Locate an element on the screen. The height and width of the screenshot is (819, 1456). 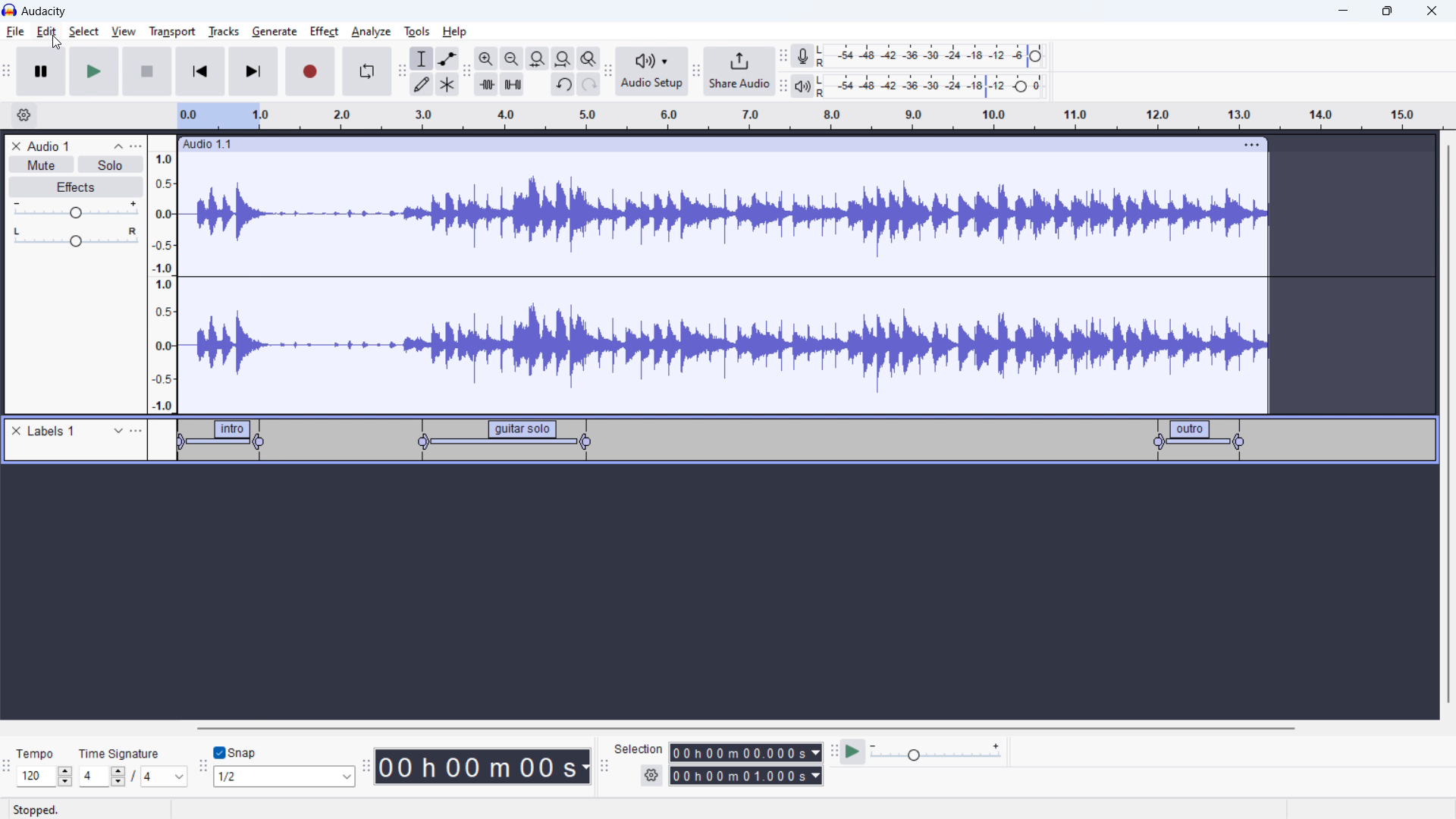
undo is located at coordinates (563, 86).